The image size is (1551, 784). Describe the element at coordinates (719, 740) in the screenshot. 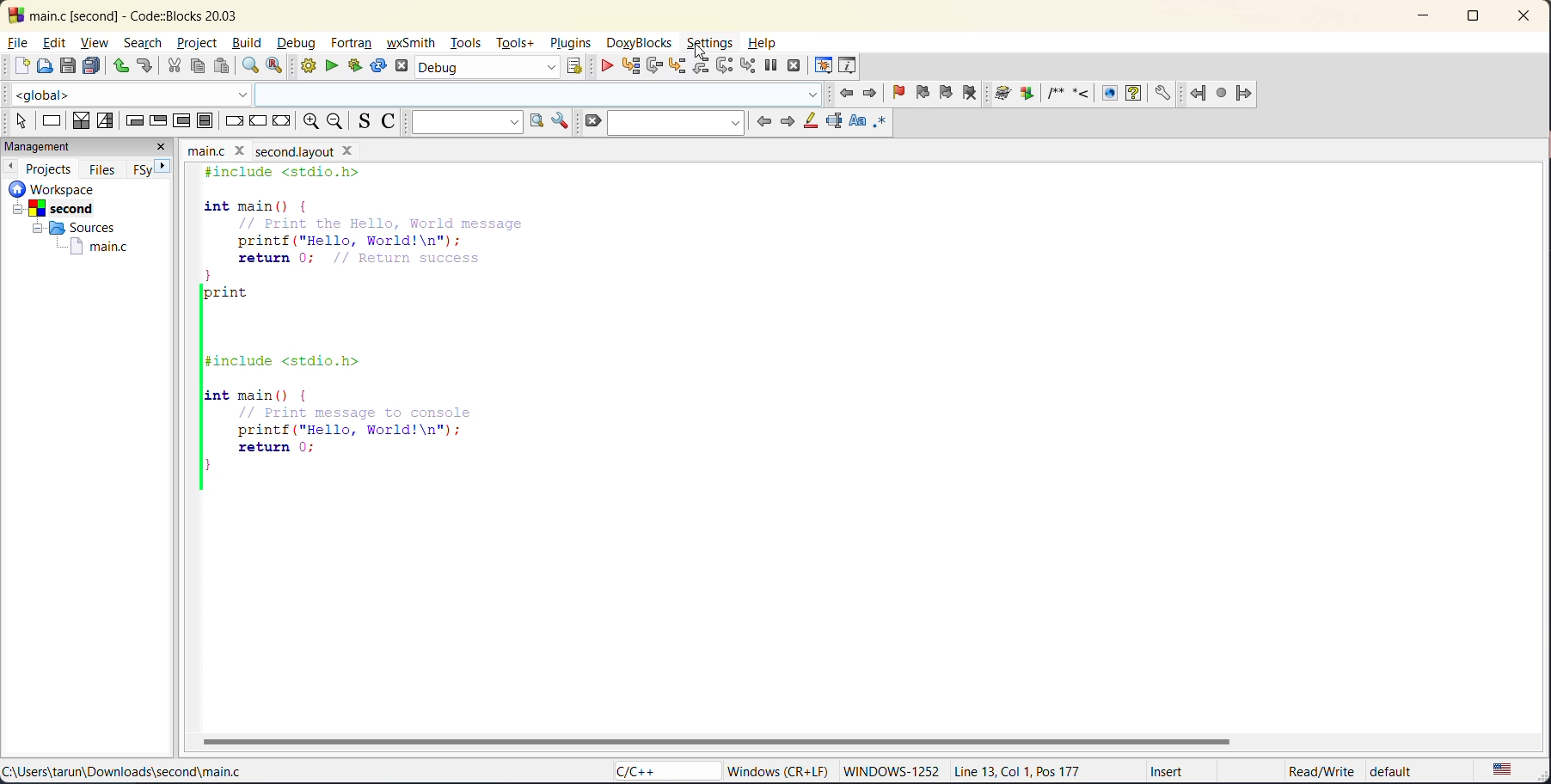

I see `horizontal scroll bar` at that location.